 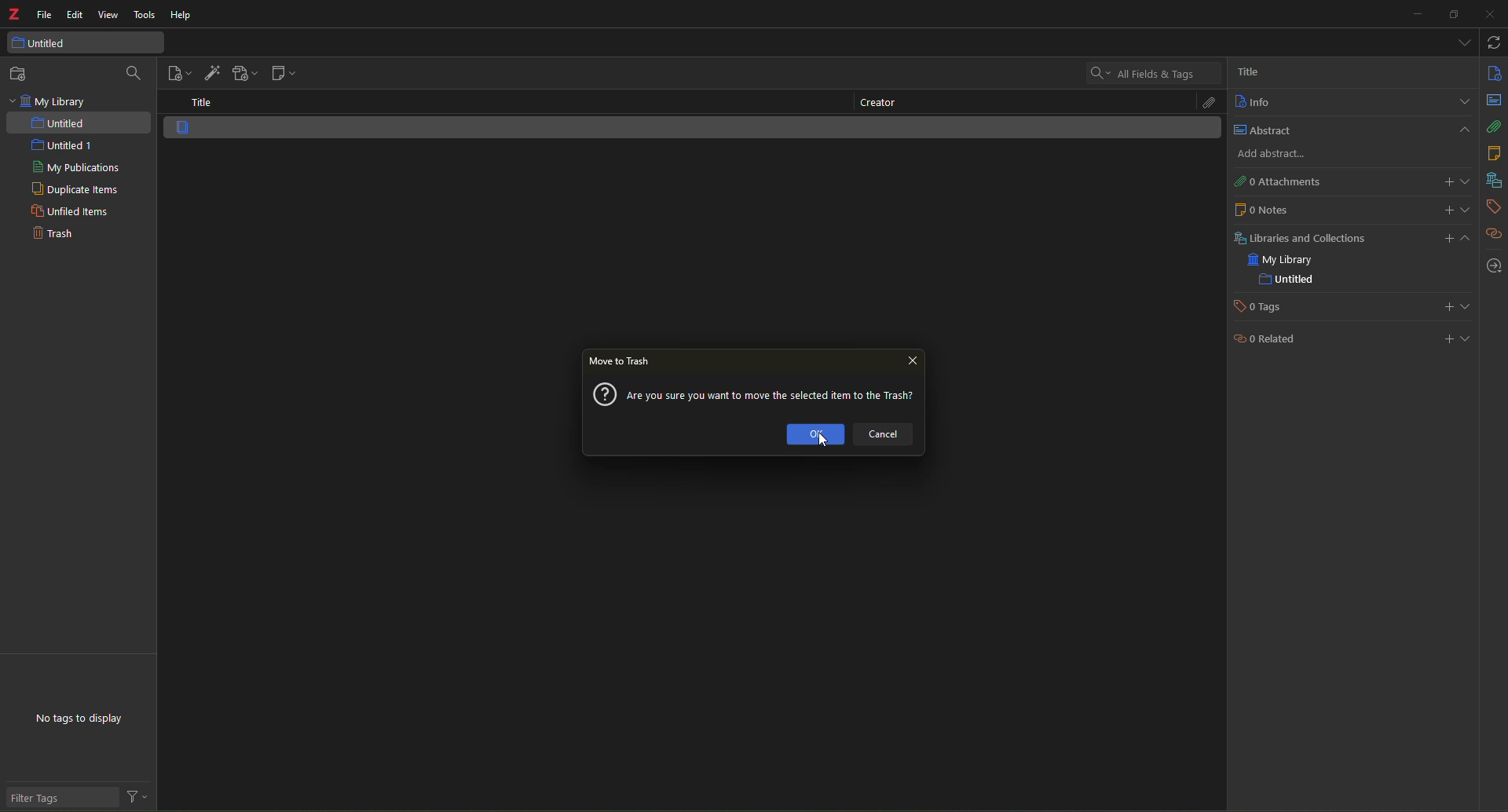 I want to click on attach, so click(x=1204, y=104).